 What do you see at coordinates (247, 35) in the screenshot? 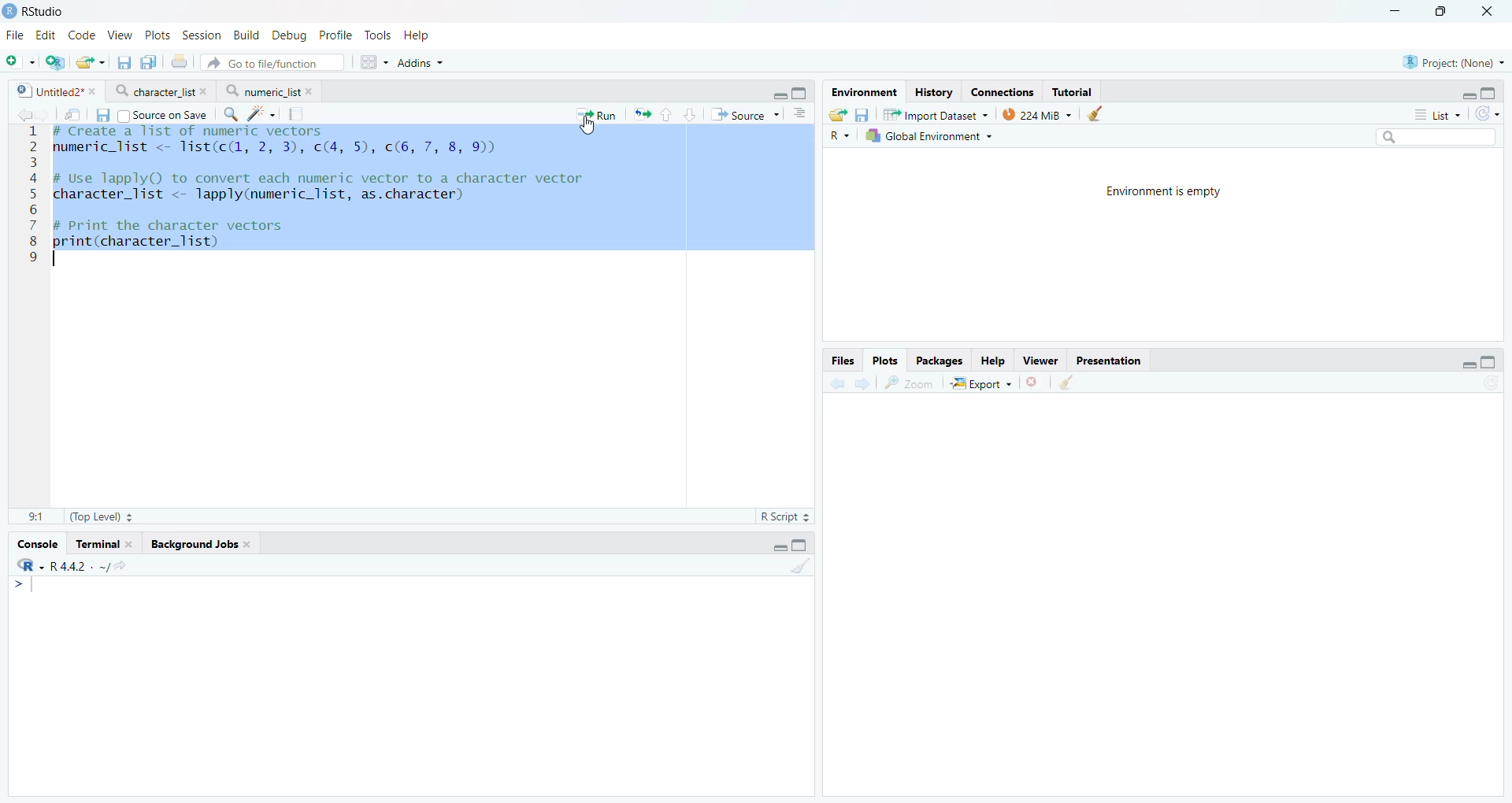
I see `Build` at bounding box center [247, 35].